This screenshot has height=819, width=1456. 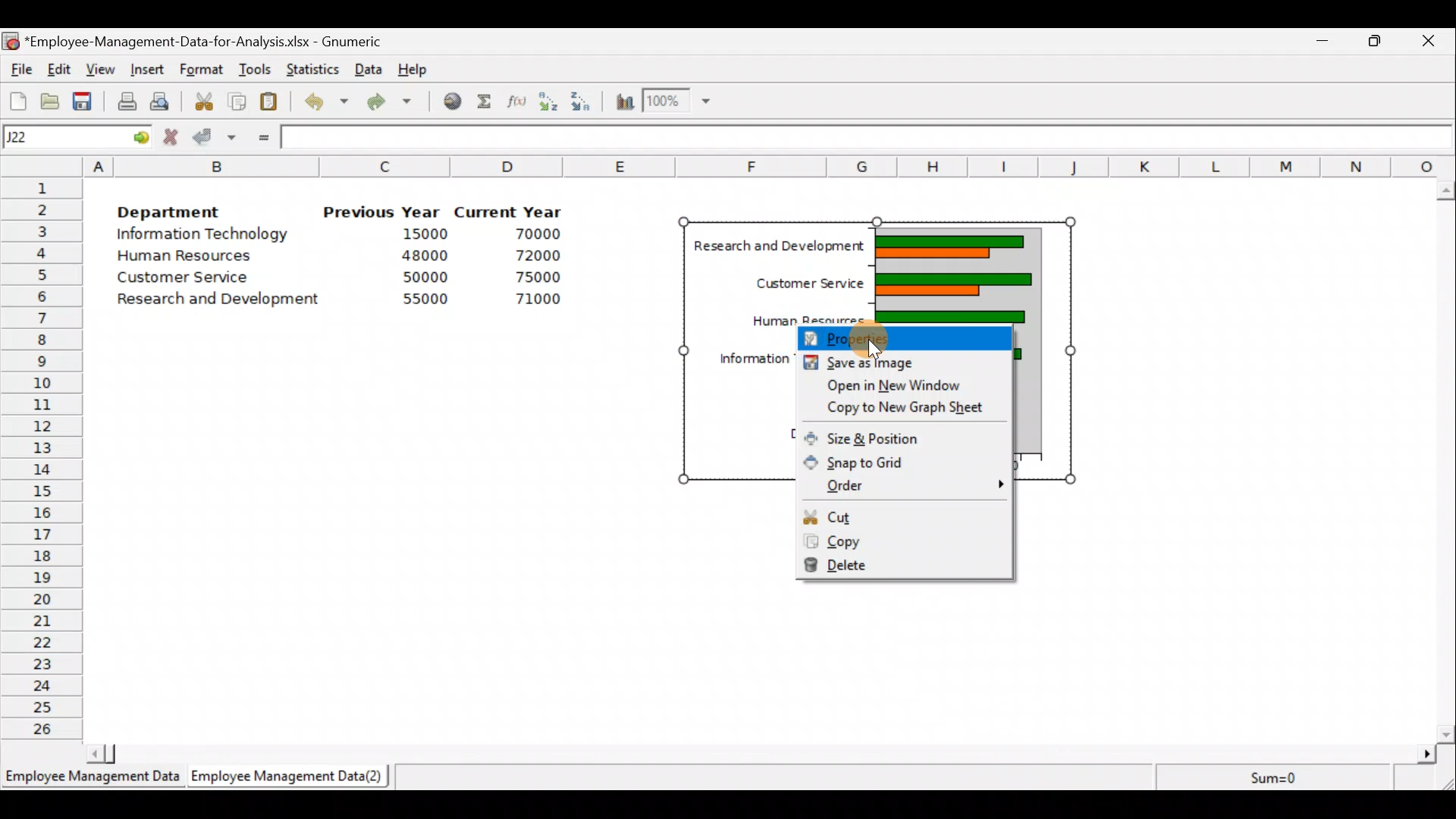 What do you see at coordinates (584, 102) in the screenshot?
I see `Sort in descending order` at bounding box center [584, 102].